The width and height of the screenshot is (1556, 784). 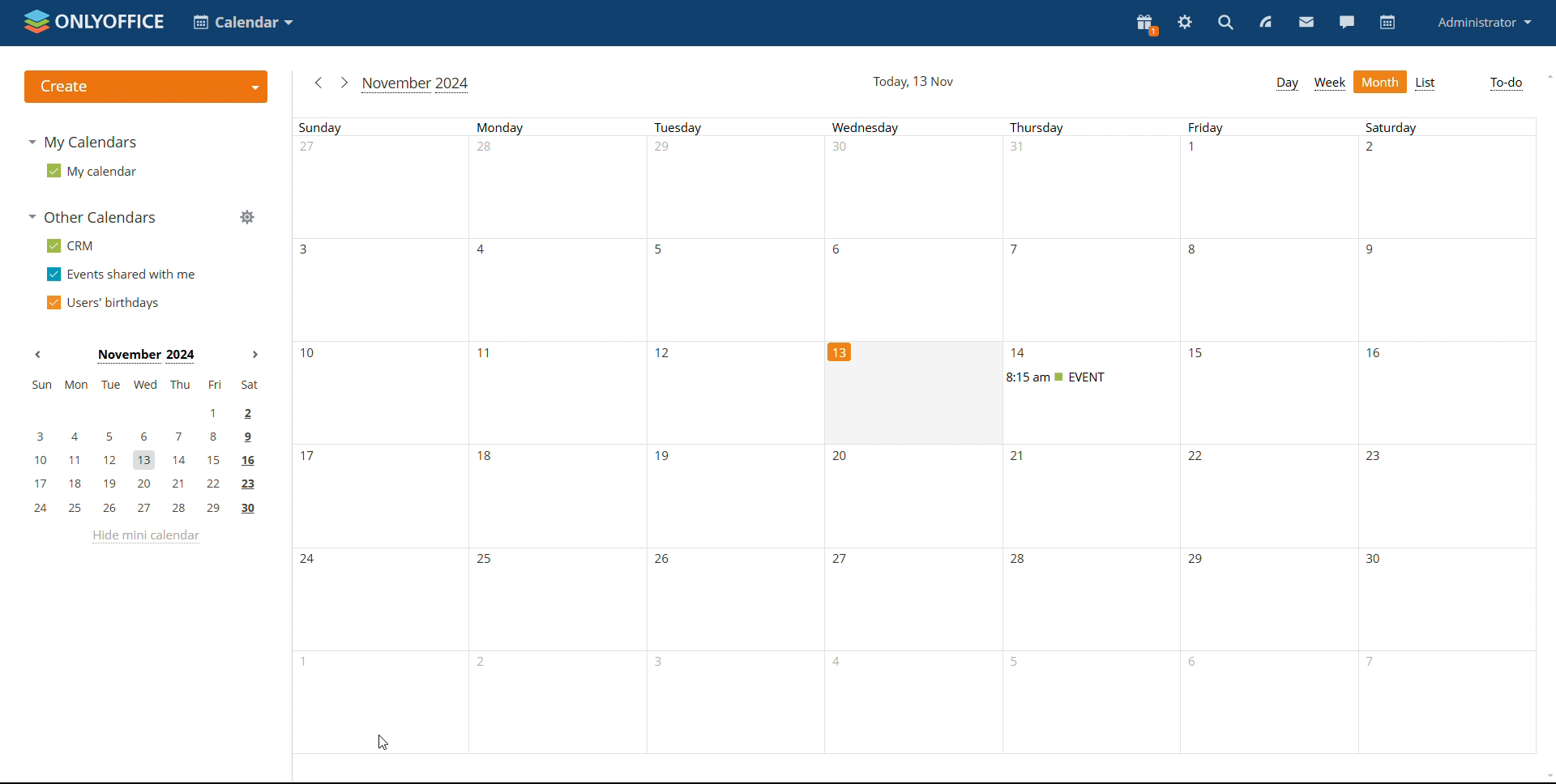 What do you see at coordinates (1486, 23) in the screenshot?
I see `administrator` at bounding box center [1486, 23].